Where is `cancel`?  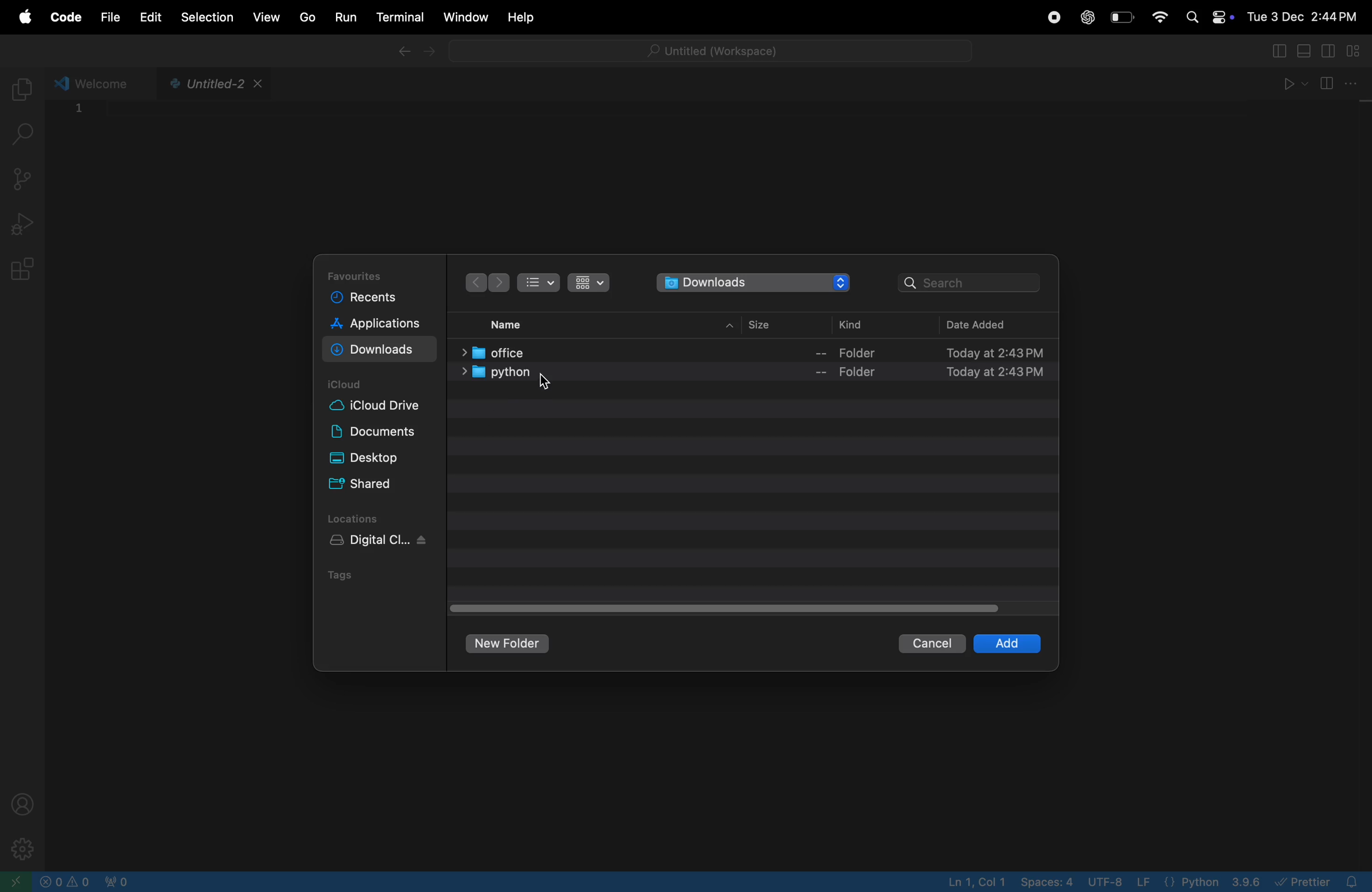
cancel is located at coordinates (932, 642).